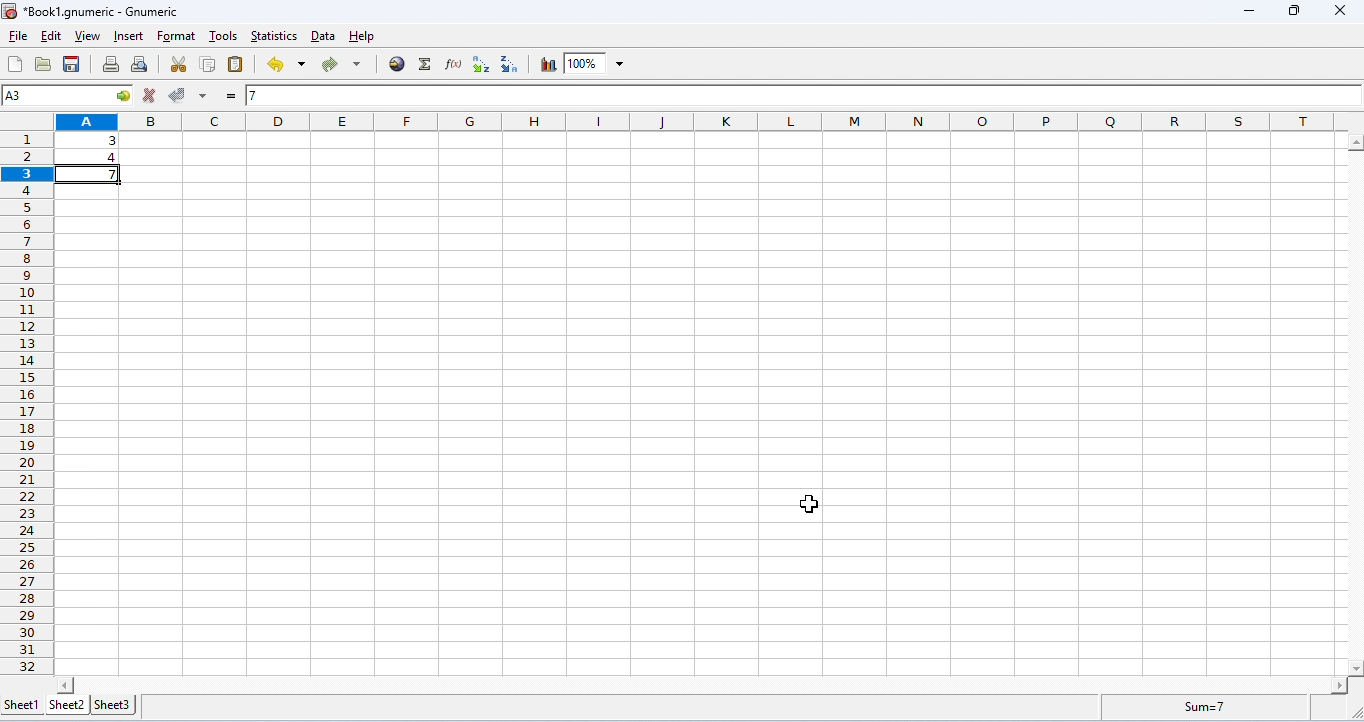 The width and height of the screenshot is (1364, 722). Describe the element at coordinates (177, 37) in the screenshot. I see `format` at that location.